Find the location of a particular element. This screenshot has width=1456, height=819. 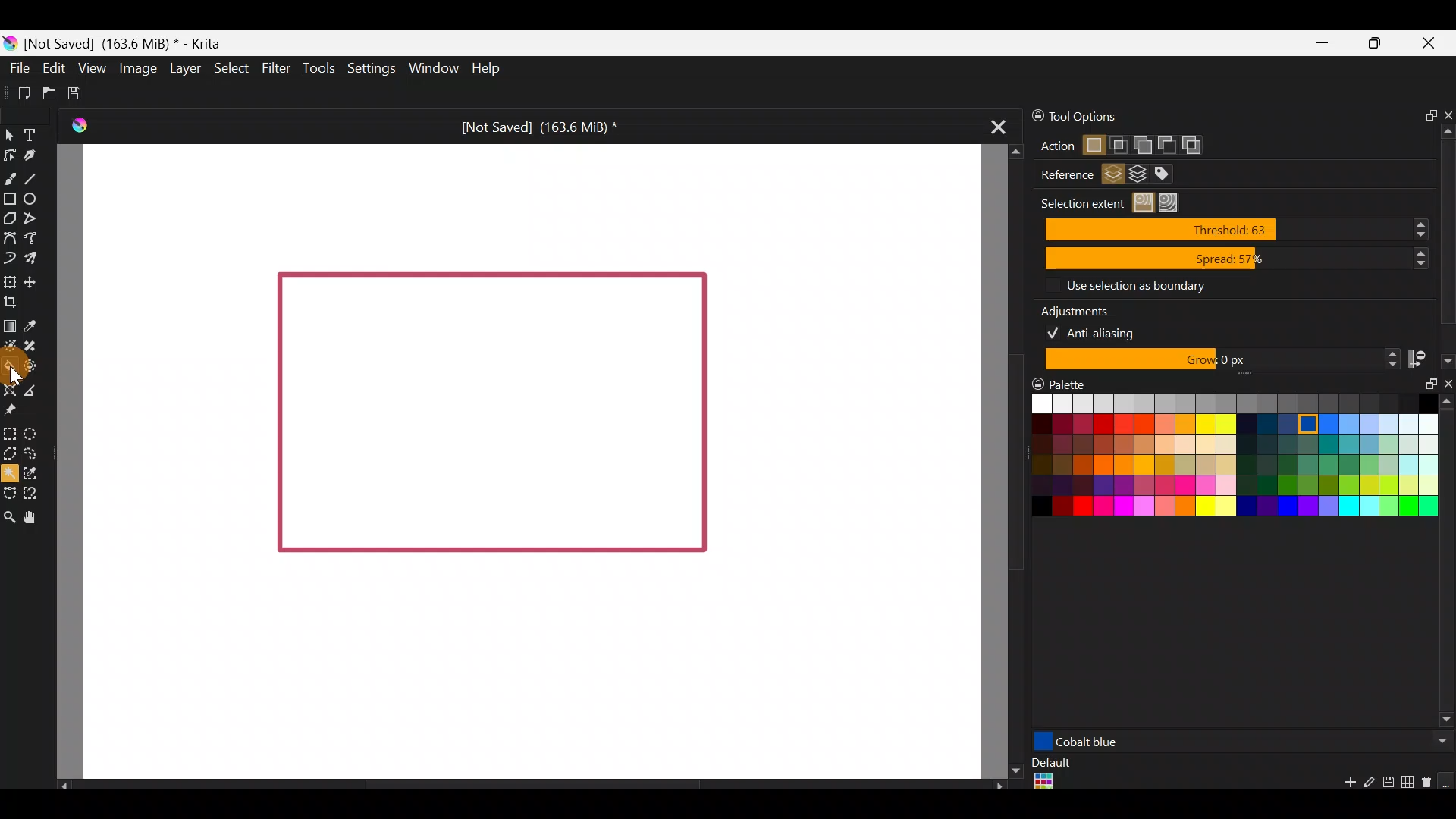

Calligraphy is located at coordinates (33, 155).